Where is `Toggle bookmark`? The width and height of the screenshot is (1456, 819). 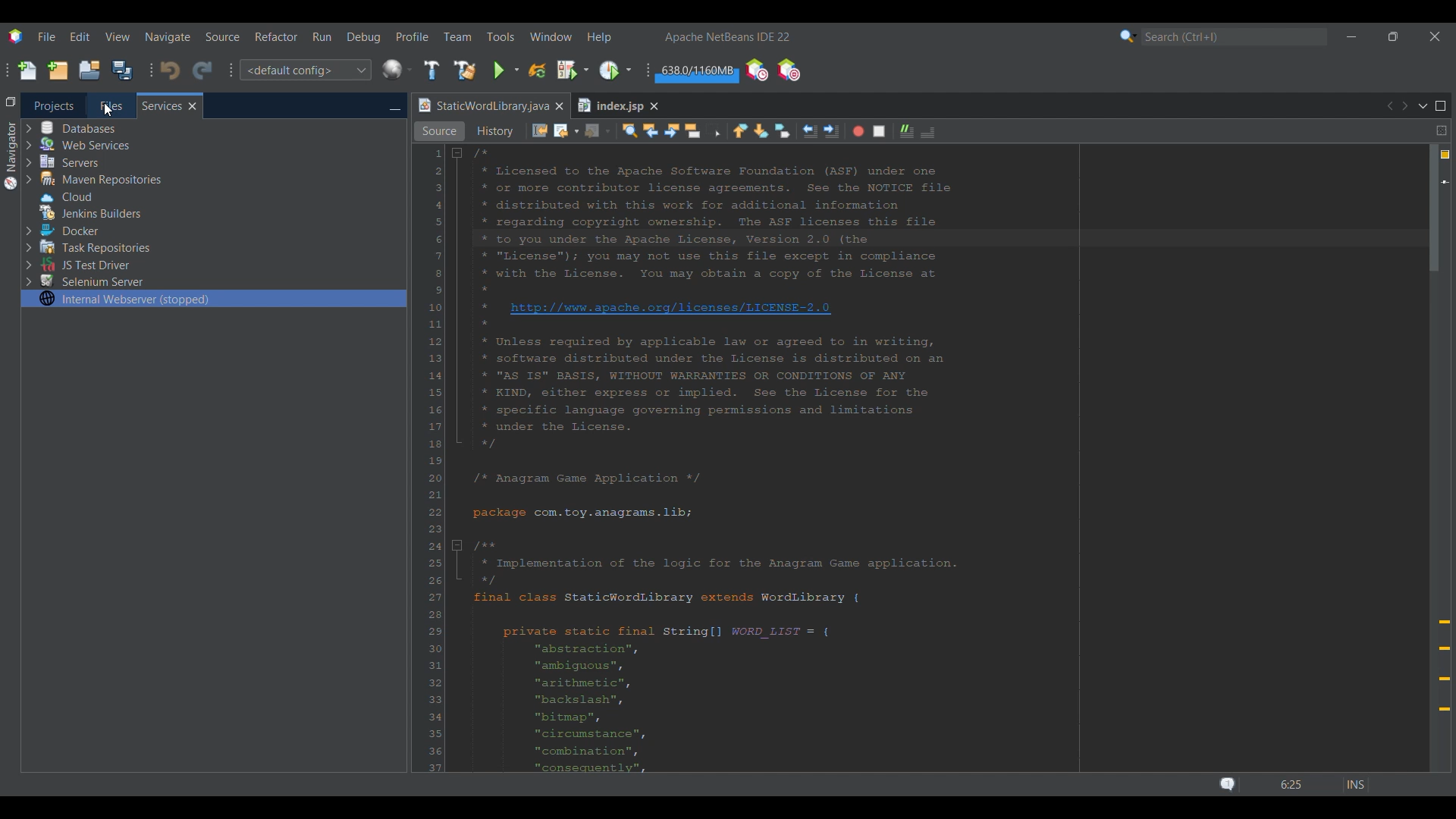
Toggle bookmark is located at coordinates (783, 130).